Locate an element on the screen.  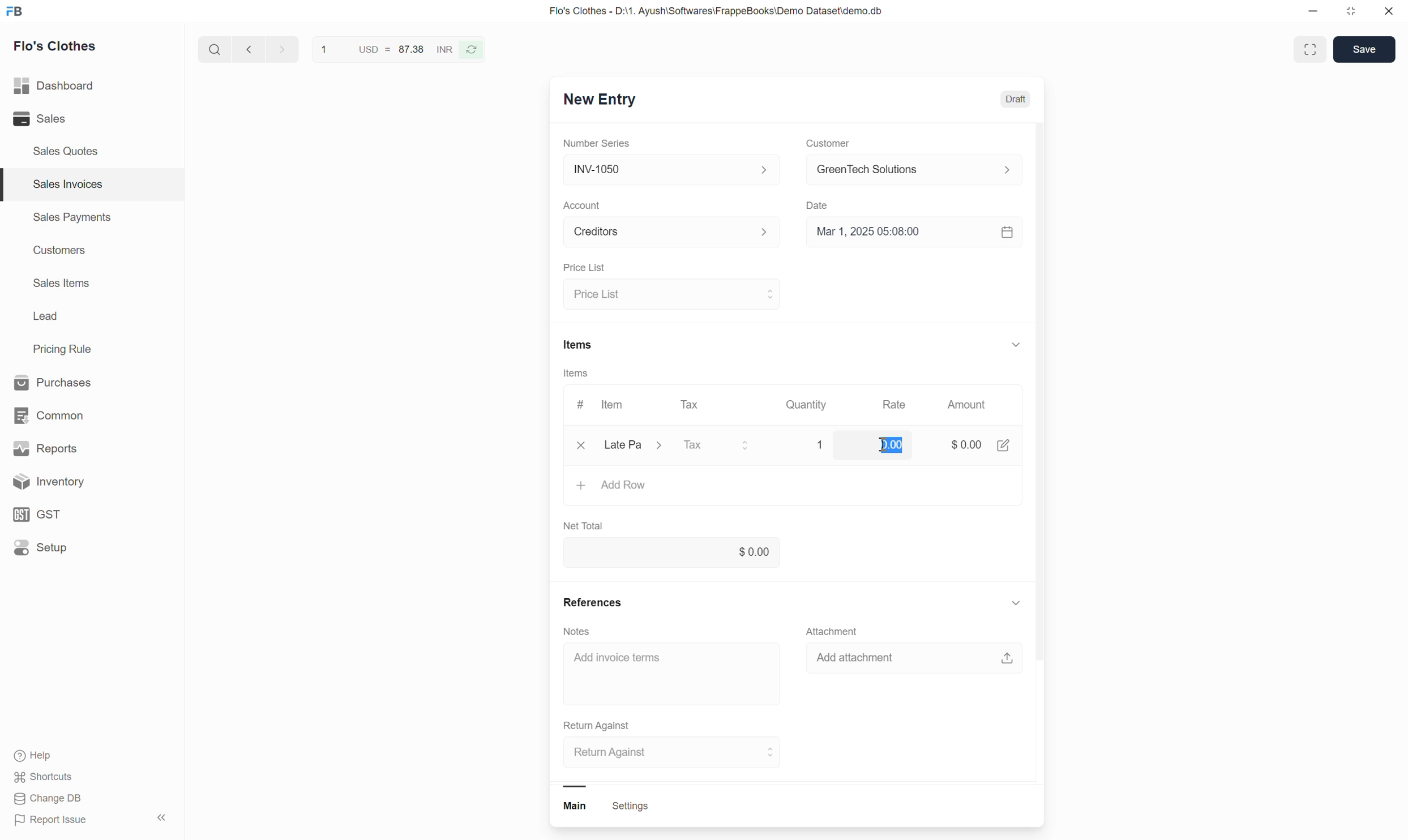
Tax is located at coordinates (691, 408).